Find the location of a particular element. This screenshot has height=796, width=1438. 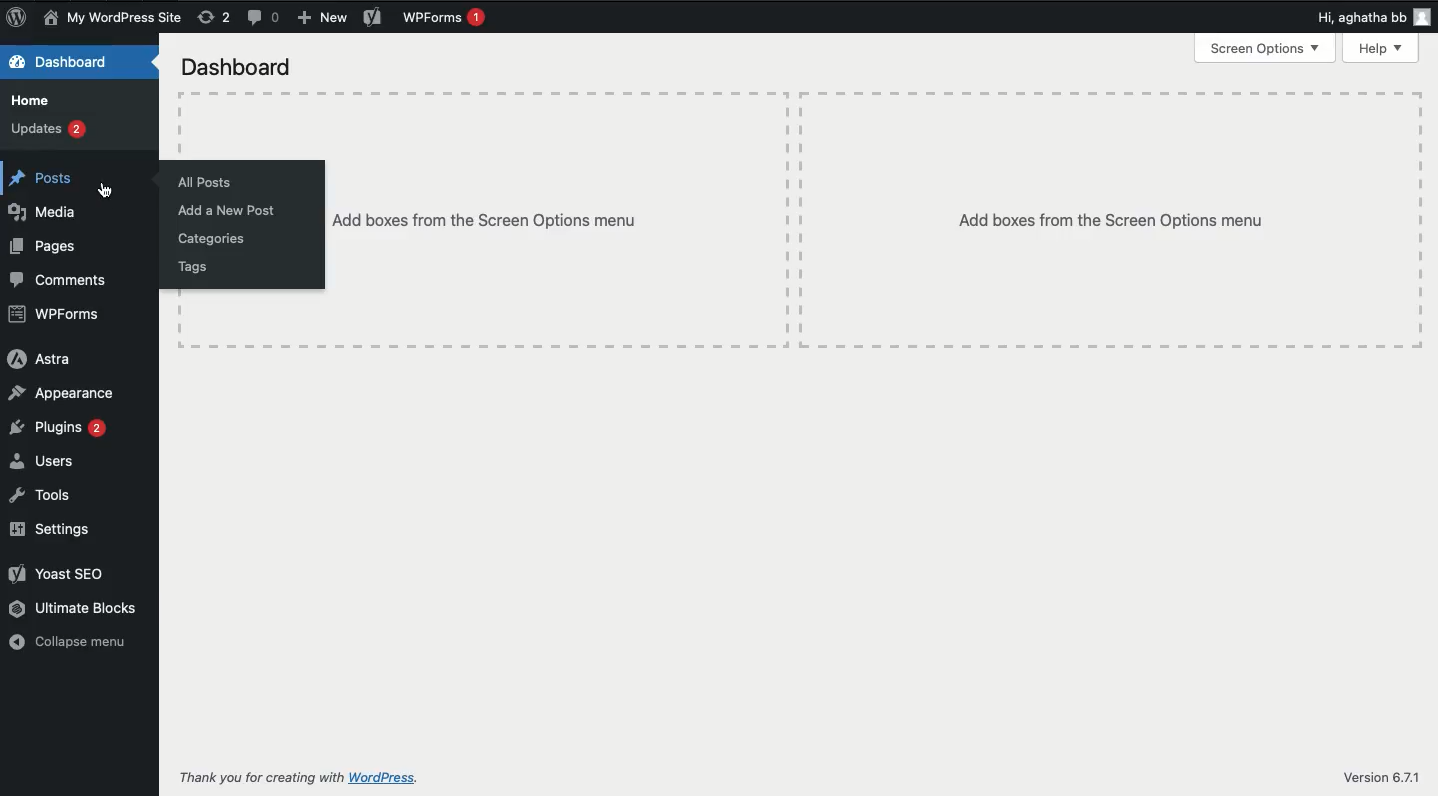

Yoast is located at coordinates (372, 18).